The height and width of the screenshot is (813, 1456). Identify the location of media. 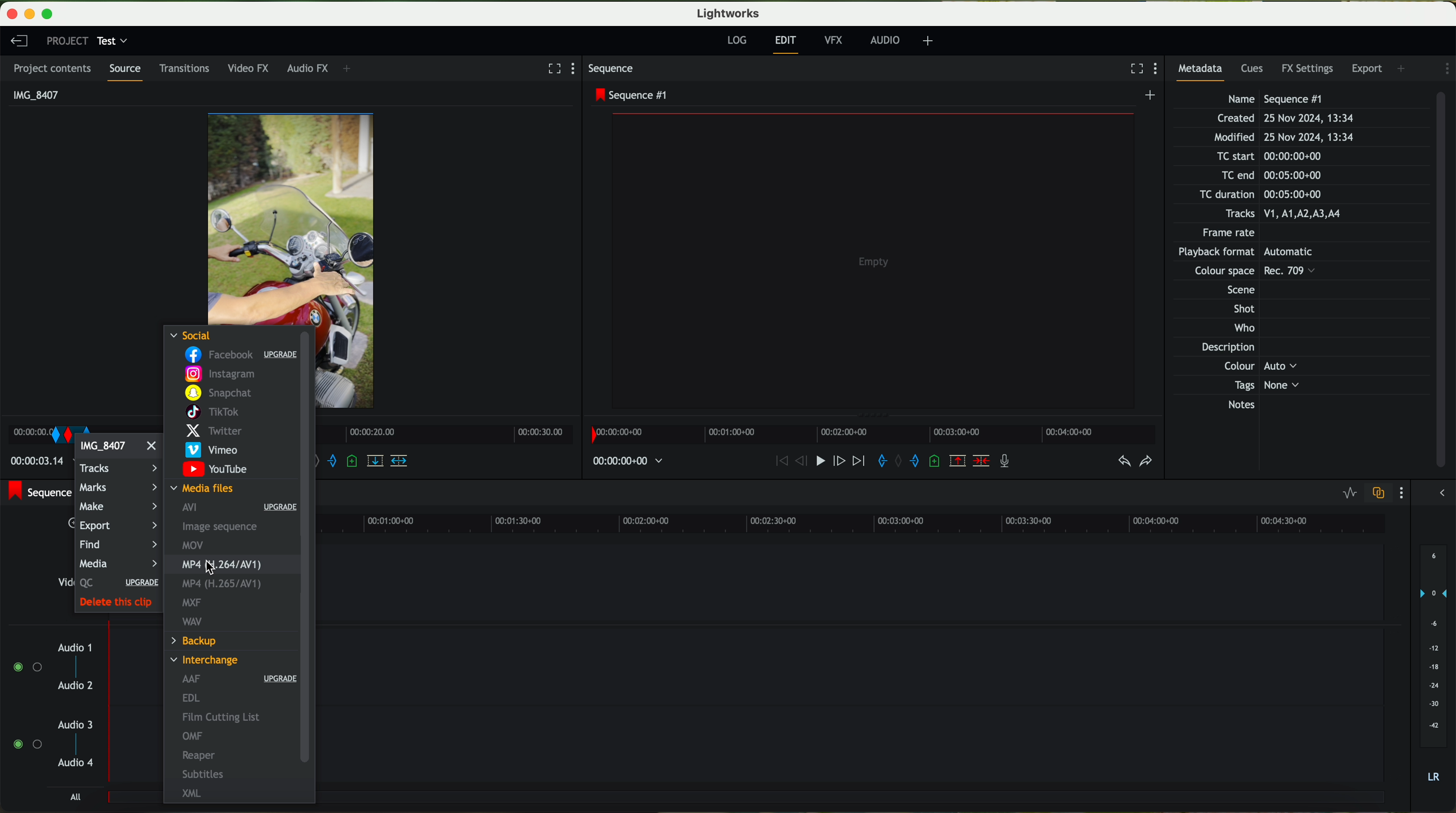
(118, 563).